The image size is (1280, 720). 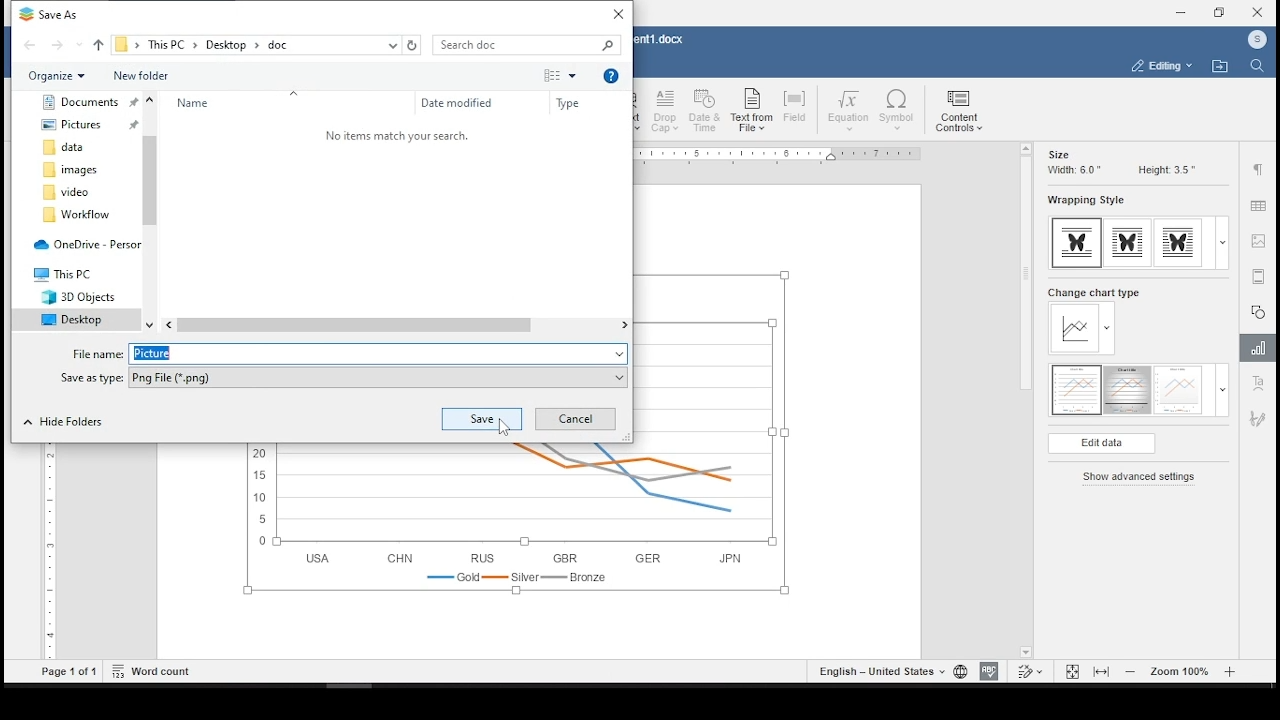 What do you see at coordinates (515, 522) in the screenshot?
I see `chart` at bounding box center [515, 522].